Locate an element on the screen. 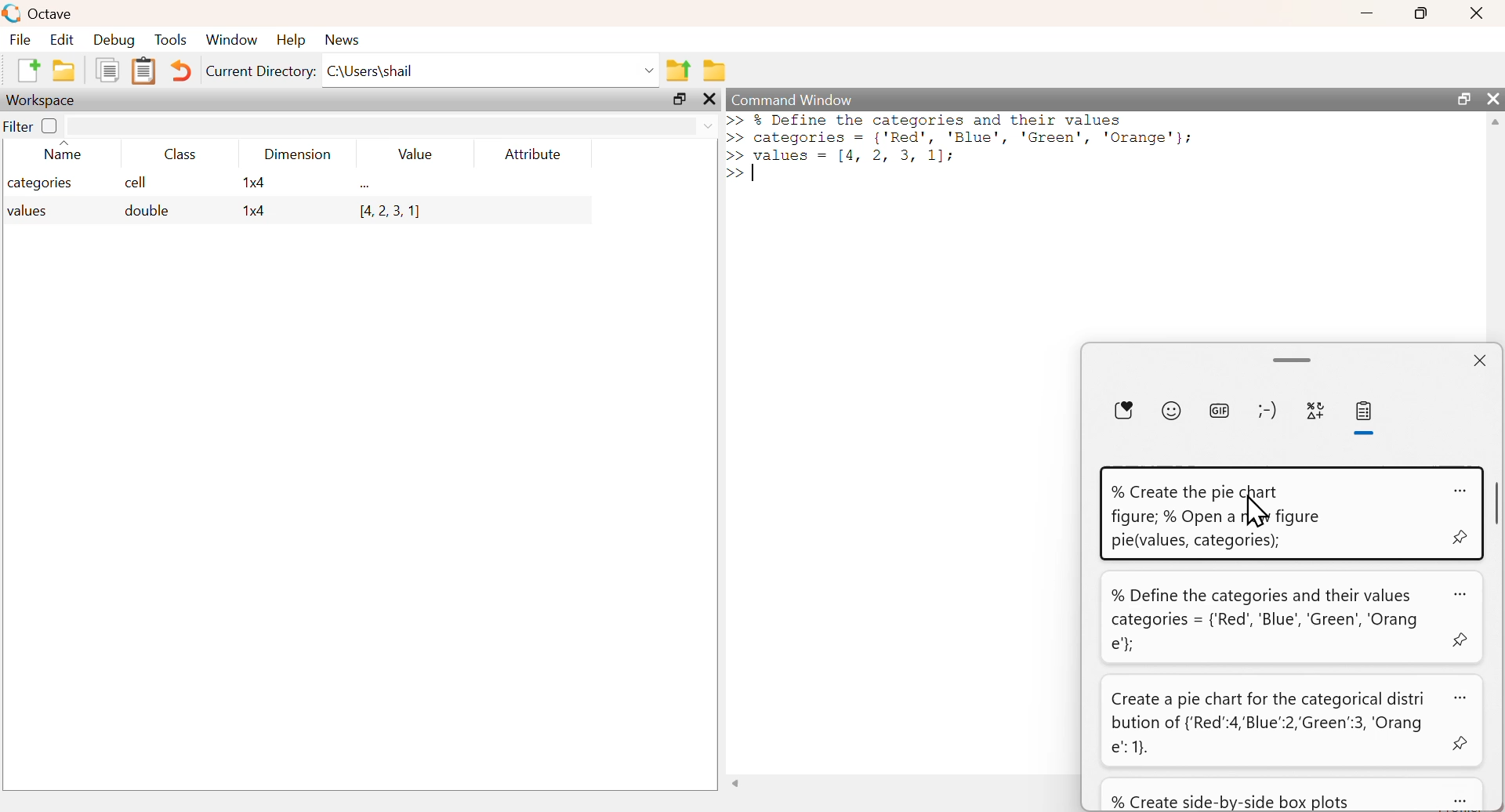 This screenshot has width=1505, height=812. scroll bar is located at coordinates (1498, 503).